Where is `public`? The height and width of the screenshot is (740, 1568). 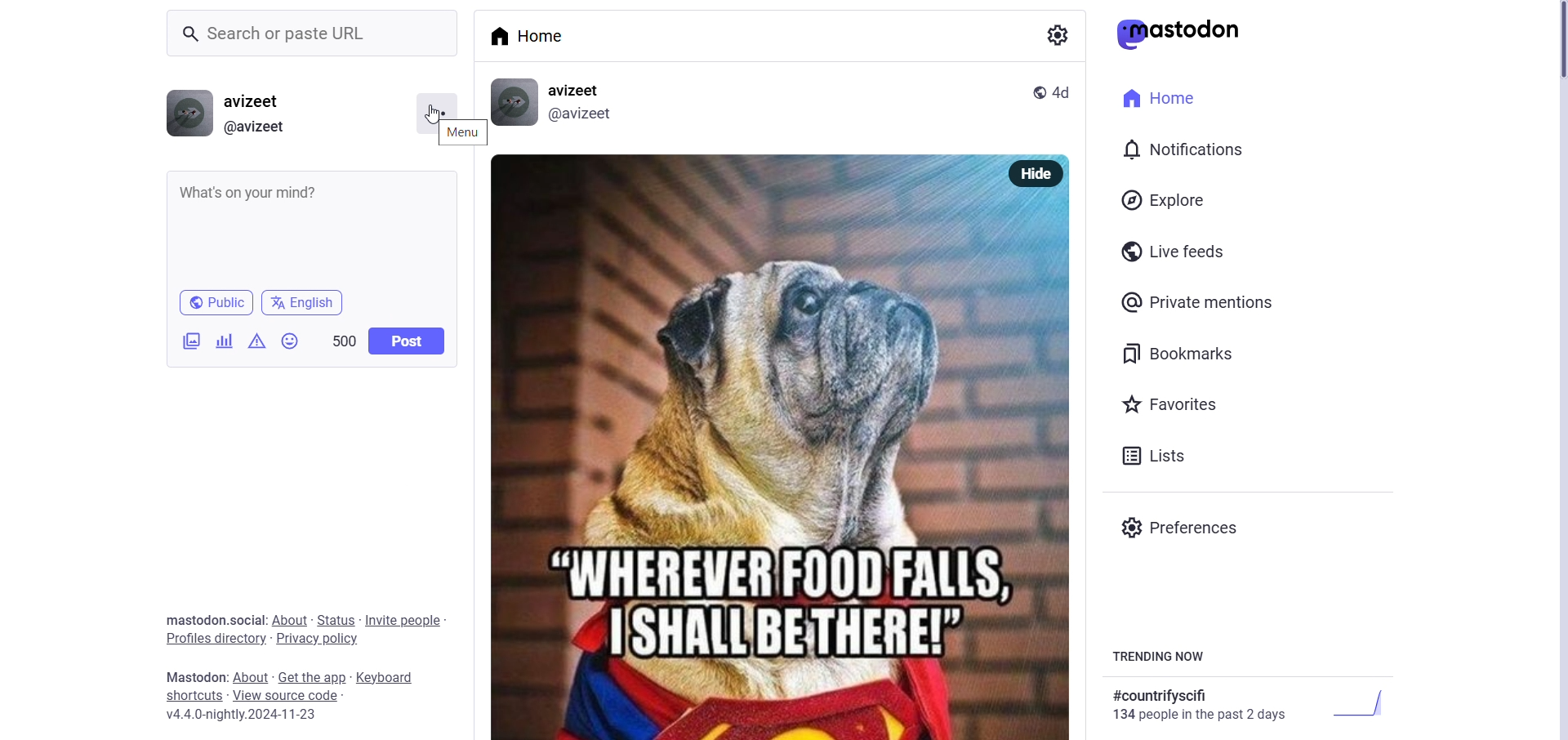 public is located at coordinates (1038, 91).